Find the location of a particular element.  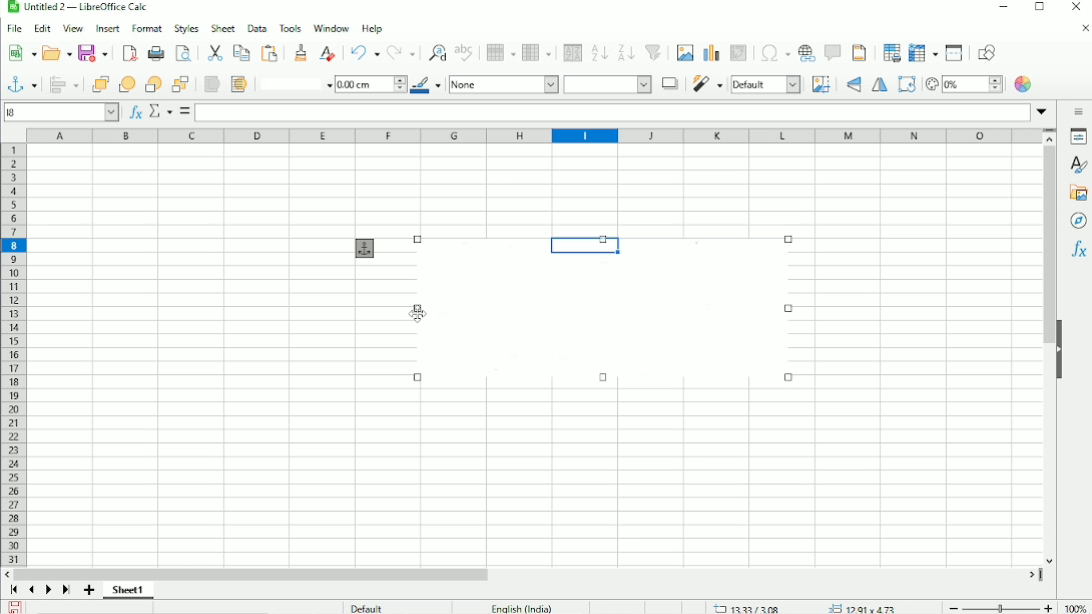

Data is located at coordinates (256, 28).